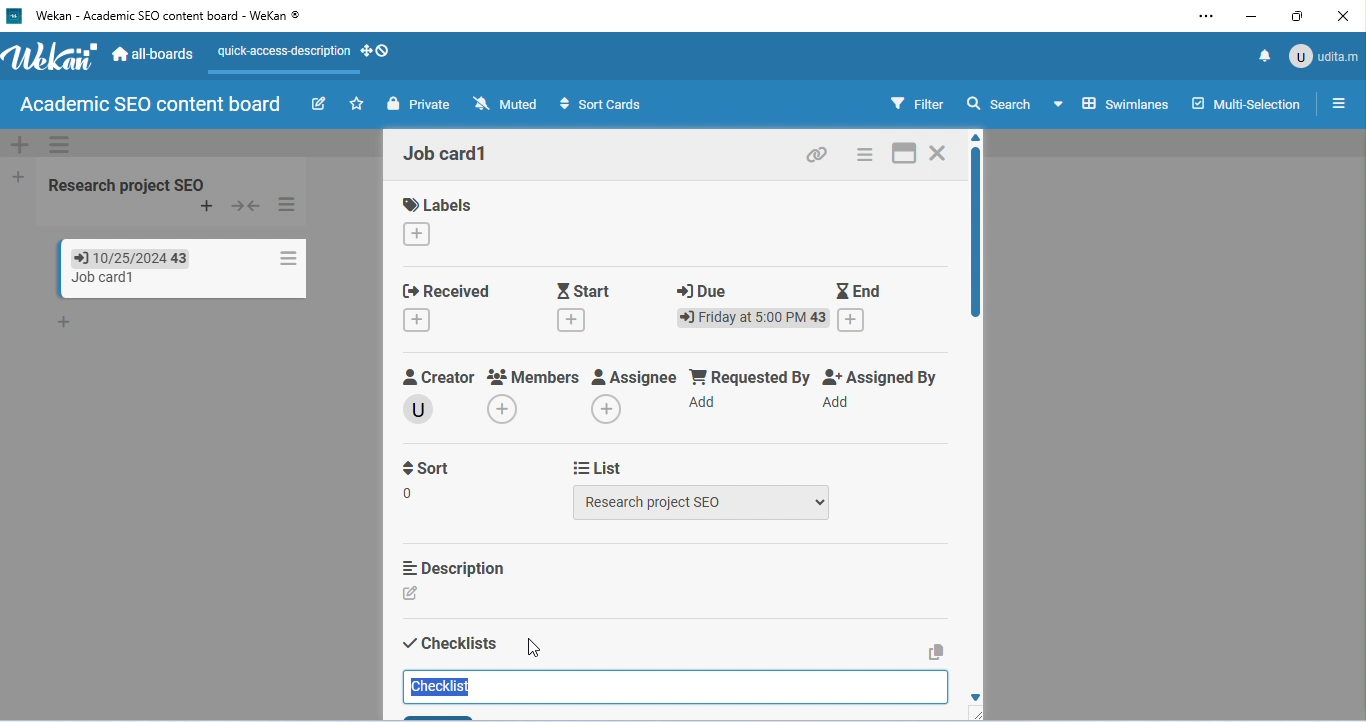 This screenshot has width=1366, height=722. I want to click on how desktop drag handles, so click(377, 51).